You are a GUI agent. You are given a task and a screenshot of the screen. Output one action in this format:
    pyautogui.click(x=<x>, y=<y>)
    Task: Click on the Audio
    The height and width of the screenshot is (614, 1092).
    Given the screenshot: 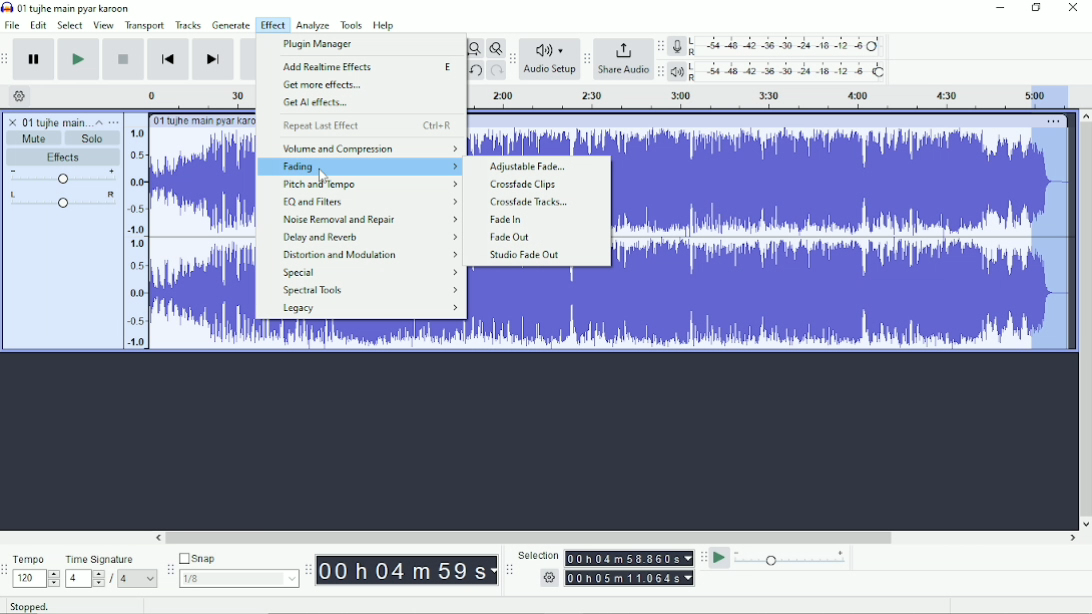 What is the action you would take?
    pyautogui.click(x=202, y=239)
    